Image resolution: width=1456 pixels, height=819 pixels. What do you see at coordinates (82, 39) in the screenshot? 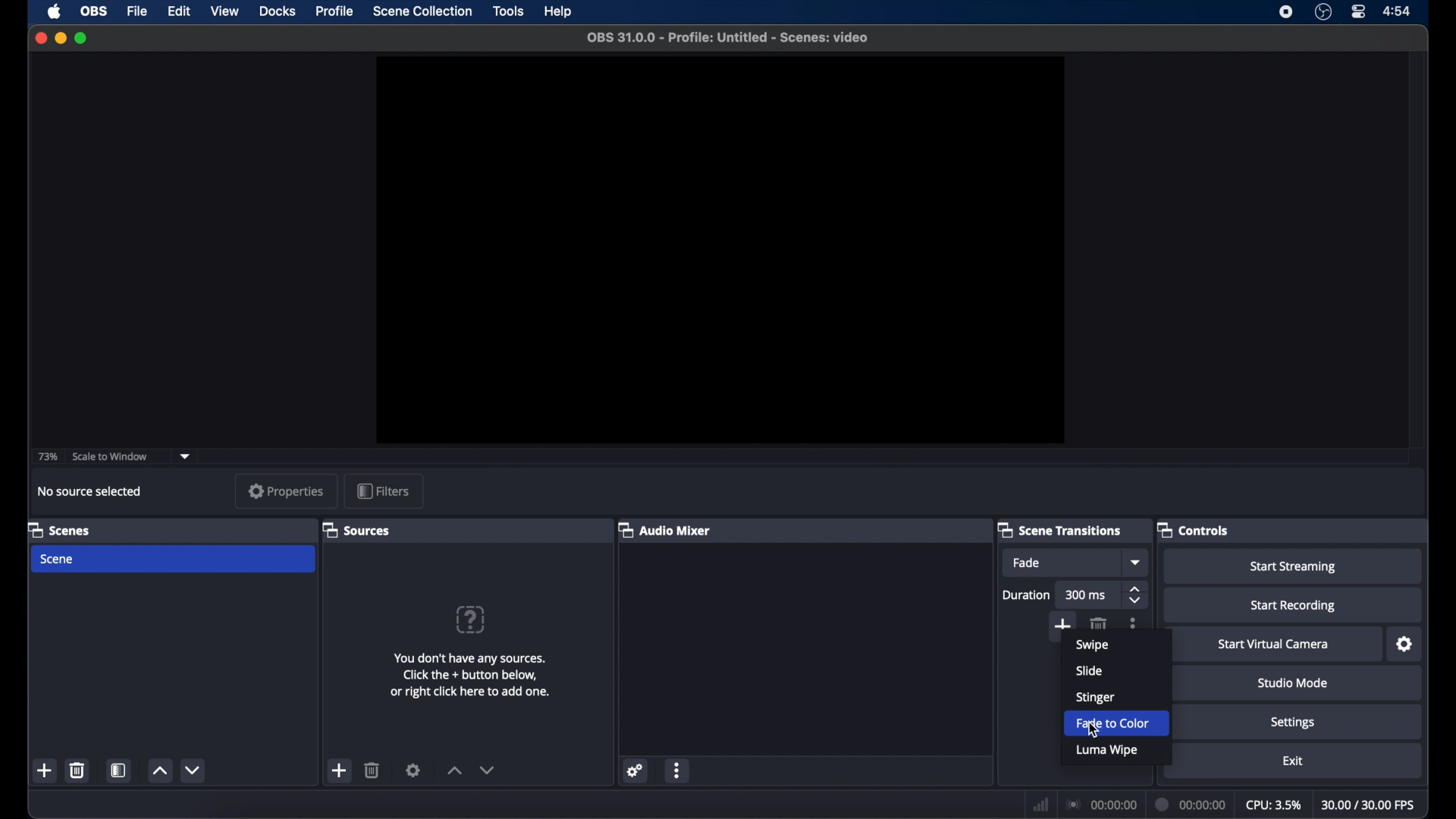
I see `maximize` at bounding box center [82, 39].